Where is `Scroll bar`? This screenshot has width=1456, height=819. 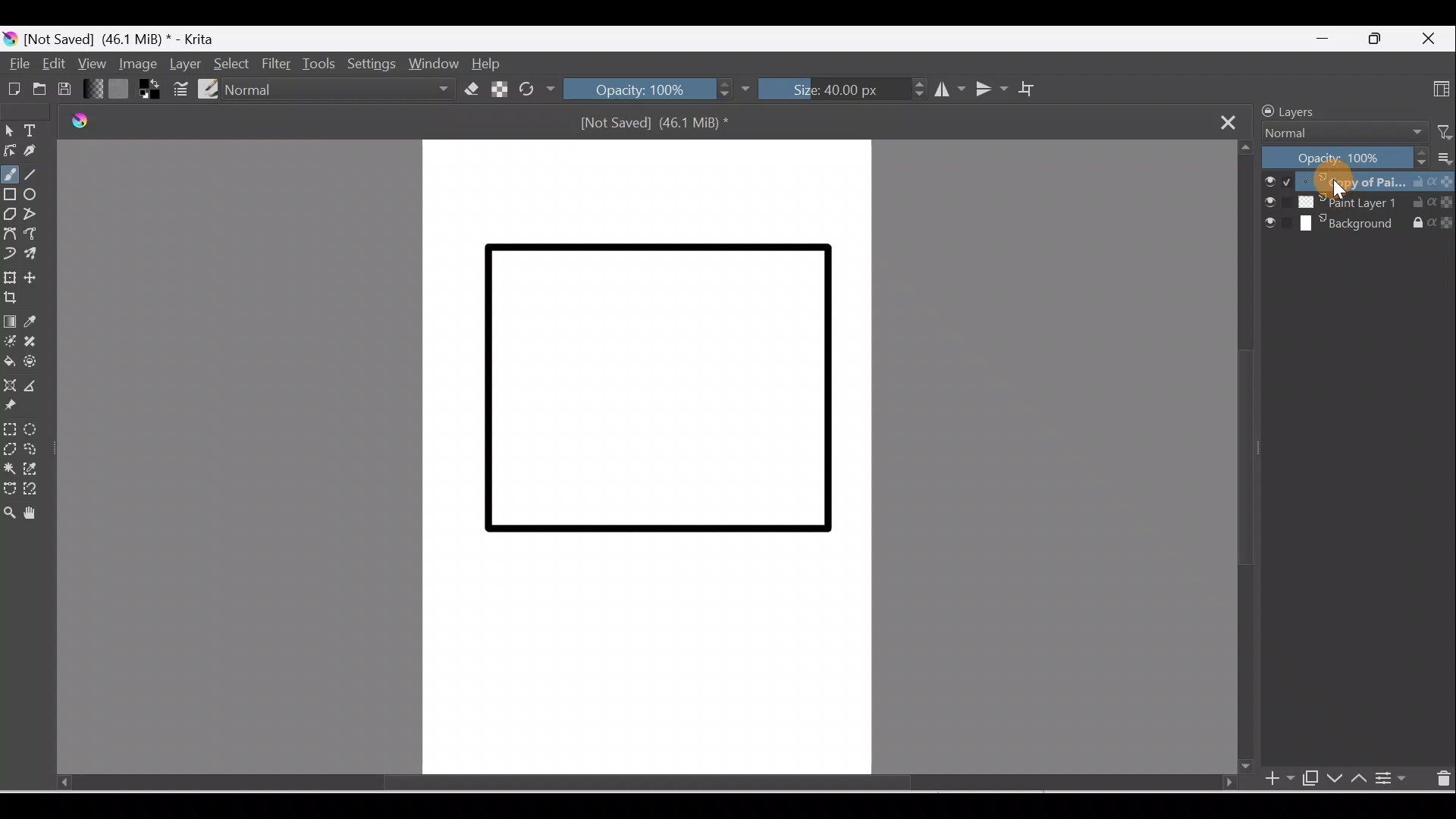
Scroll bar is located at coordinates (1243, 459).